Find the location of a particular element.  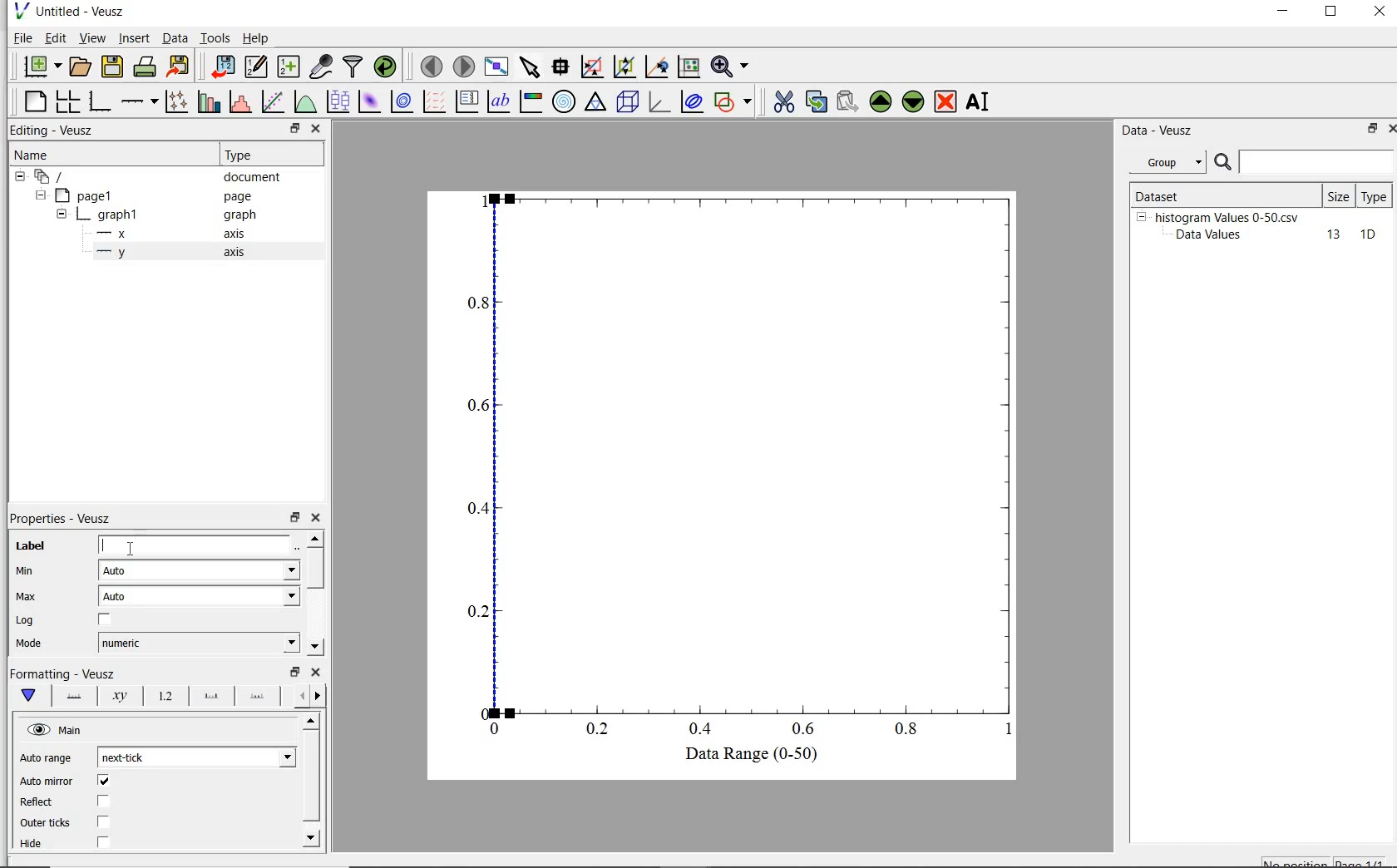

axis label is located at coordinates (121, 696).